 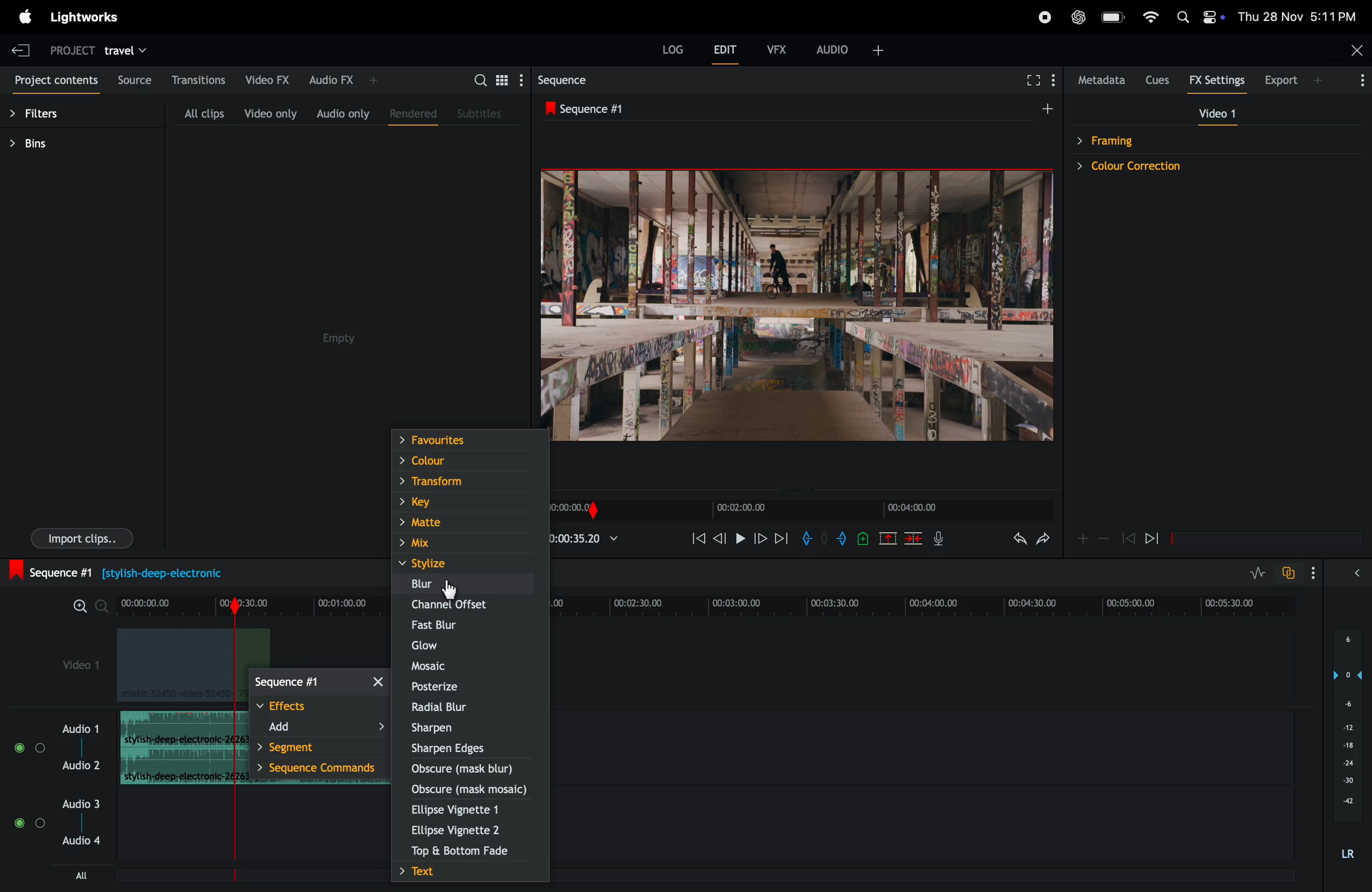 What do you see at coordinates (464, 809) in the screenshot?
I see `ellipse vignttte` at bounding box center [464, 809].